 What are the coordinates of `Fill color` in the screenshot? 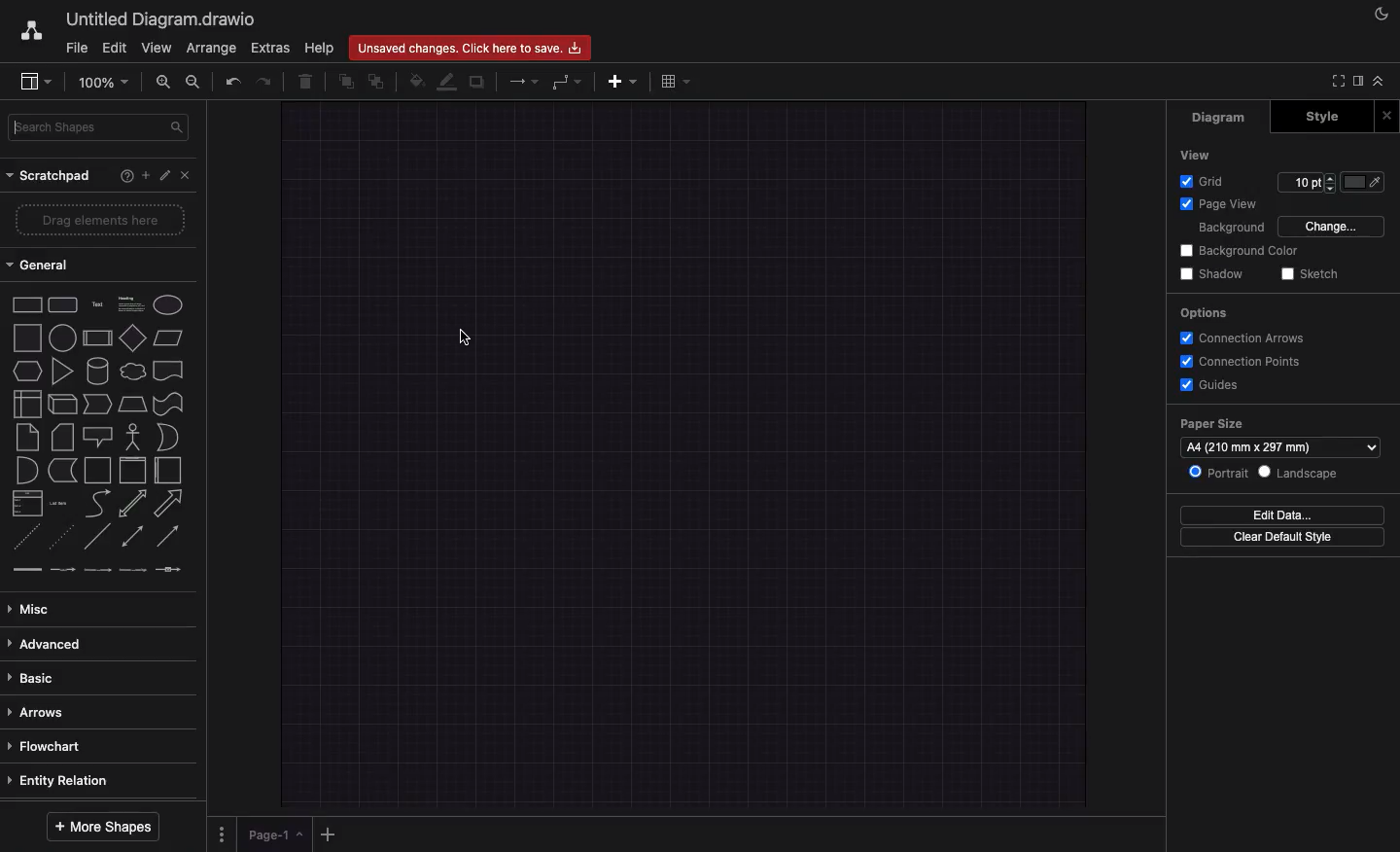 It's located at (417, 81).